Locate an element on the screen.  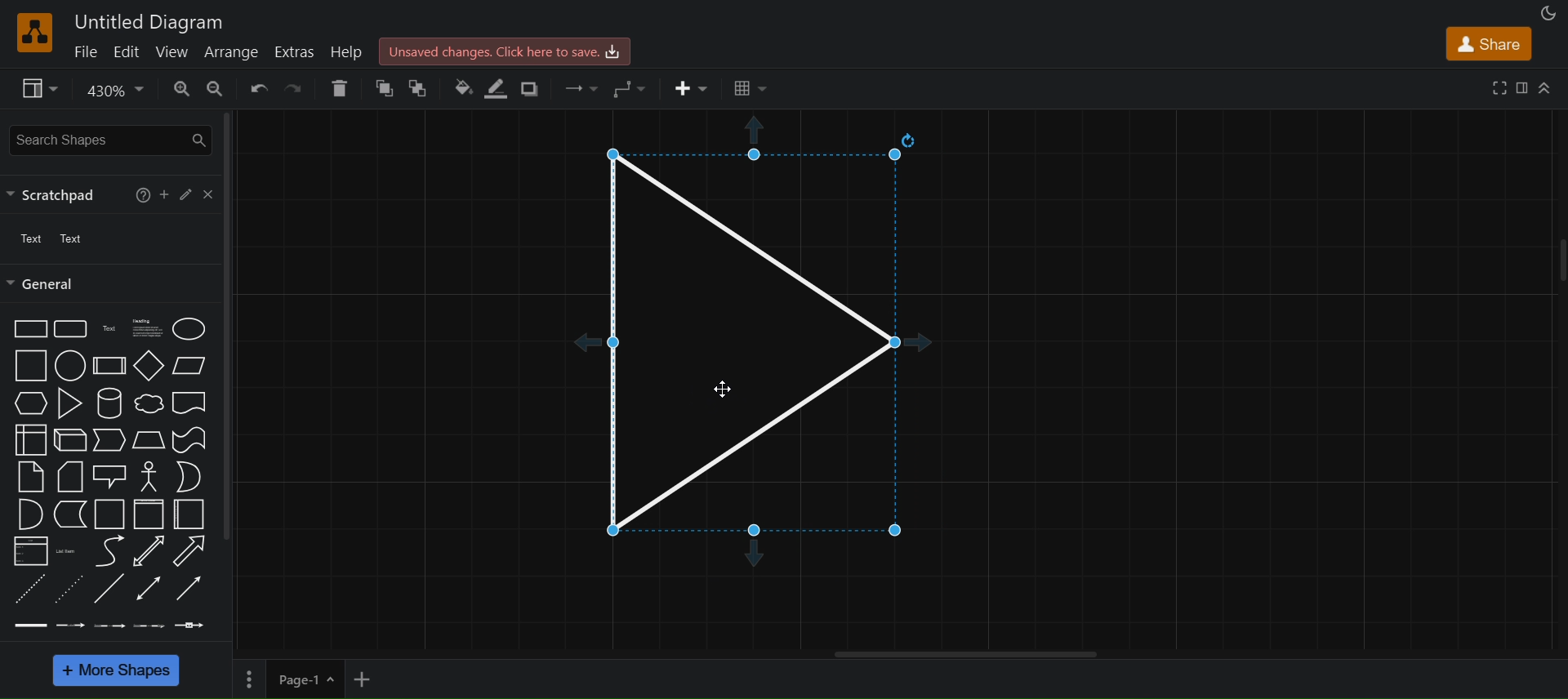
Table is located at coordinates (751, 89).